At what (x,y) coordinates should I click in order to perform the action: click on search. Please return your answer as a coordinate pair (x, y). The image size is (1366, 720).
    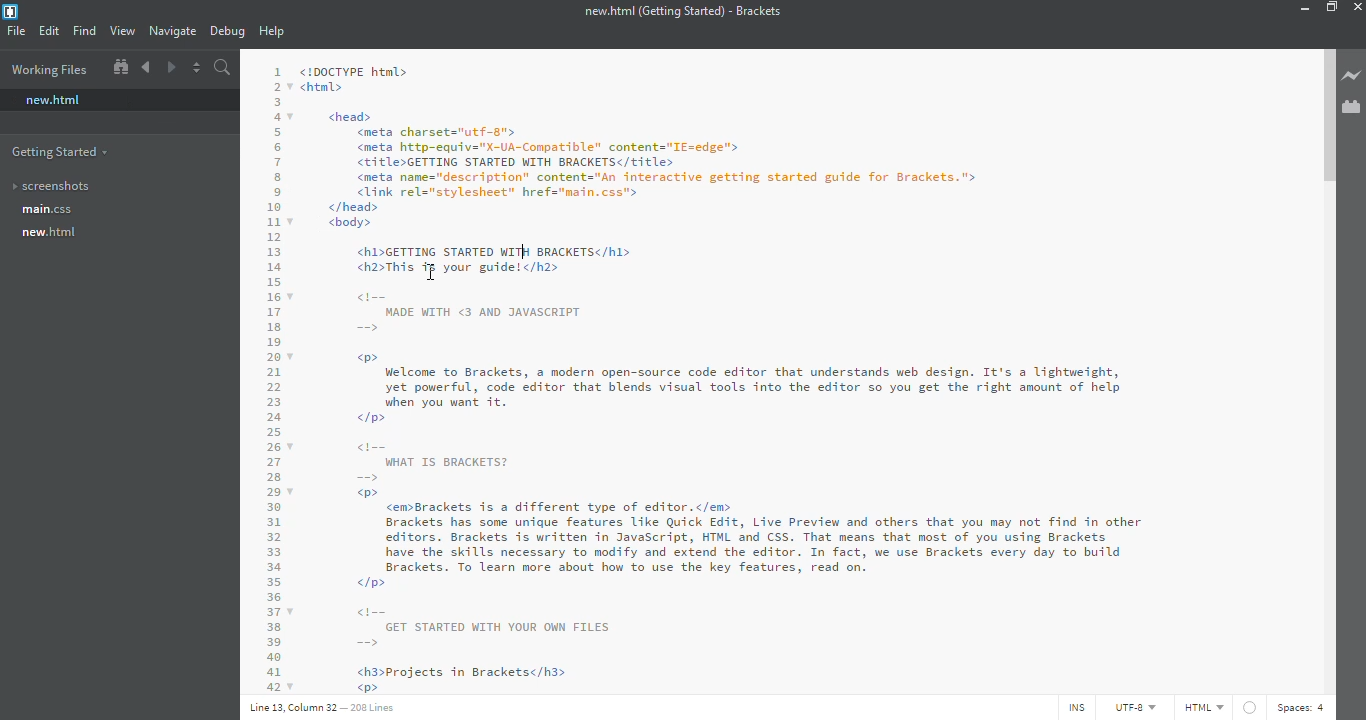
    Looking at the image, I should click on (223, 67).